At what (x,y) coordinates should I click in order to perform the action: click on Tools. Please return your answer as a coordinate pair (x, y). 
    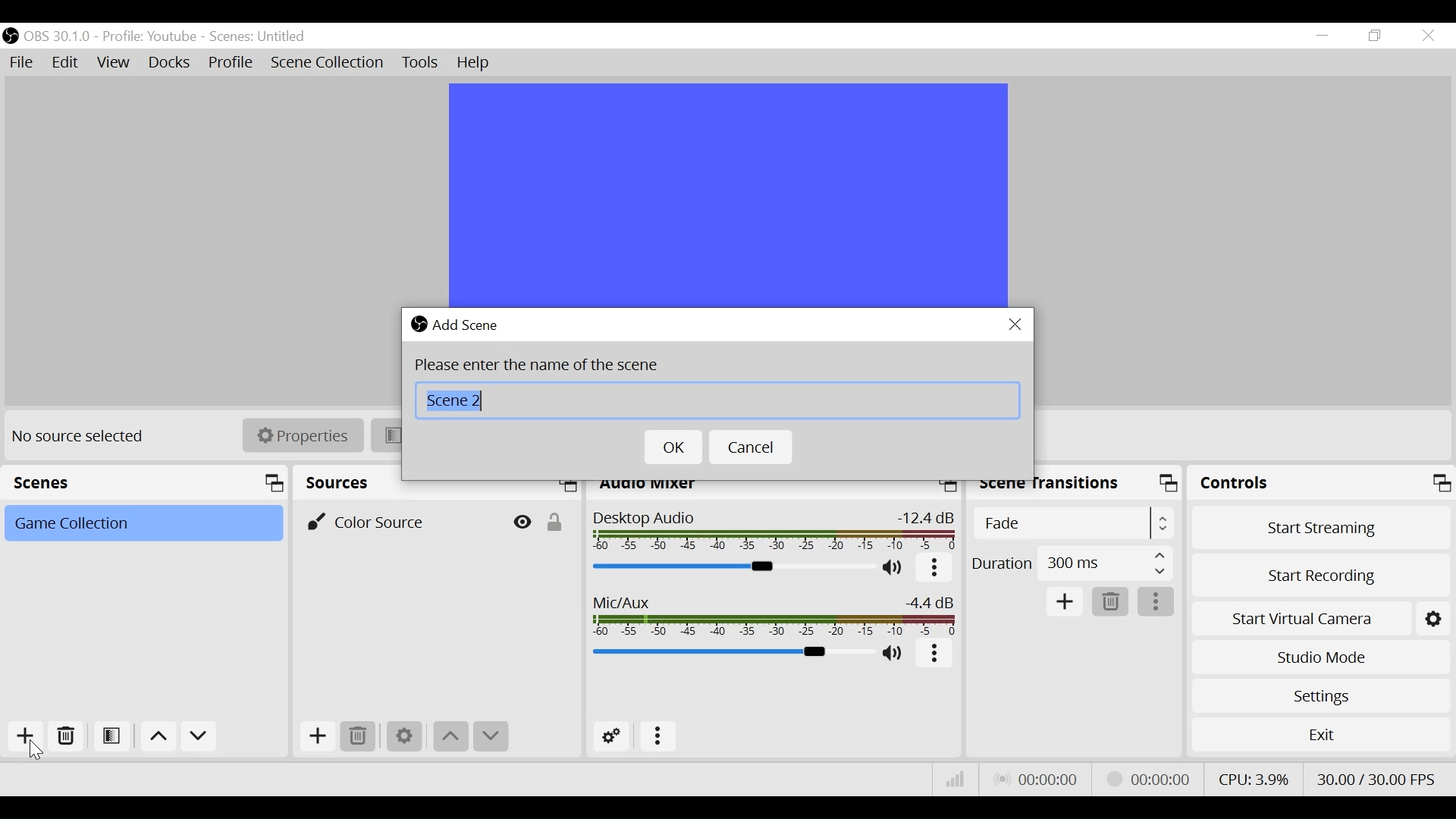
    Looking at the image, I should click on (420, 63).